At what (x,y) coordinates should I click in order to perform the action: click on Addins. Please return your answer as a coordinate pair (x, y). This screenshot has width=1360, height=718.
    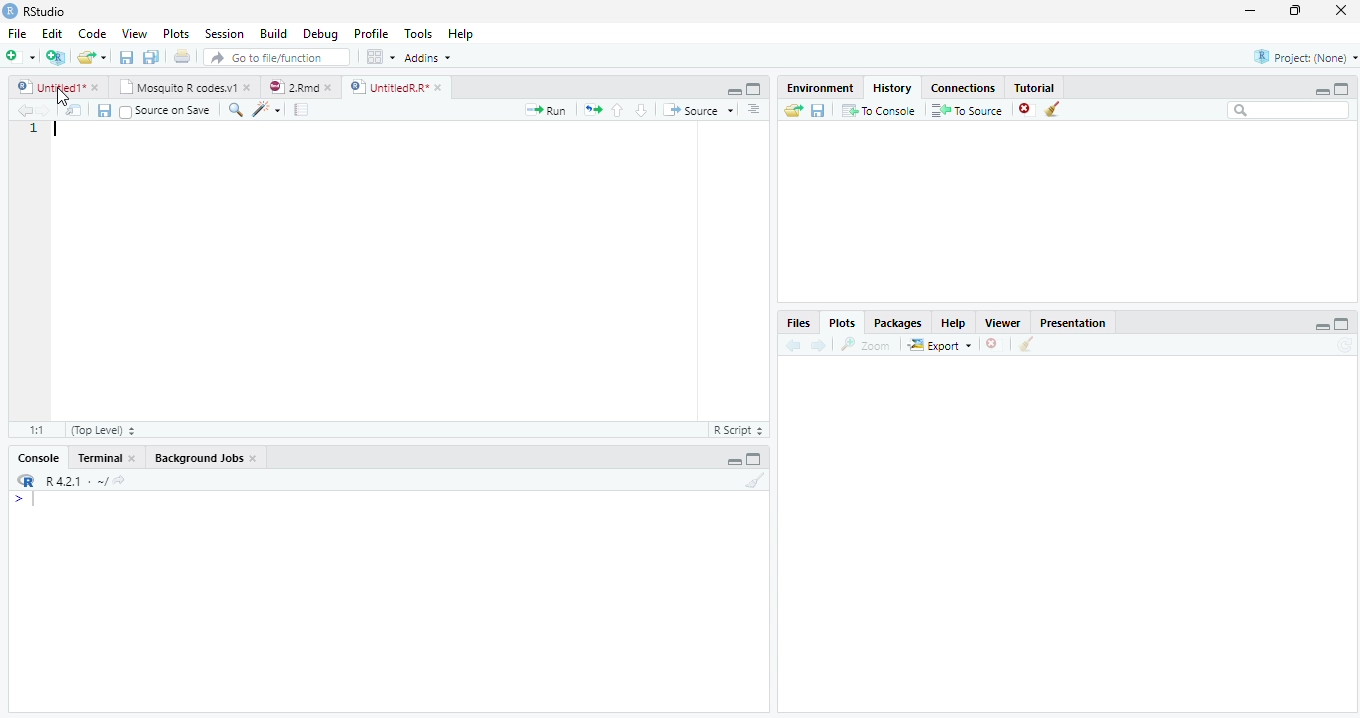
    Looking at the image, I should click on (430, 58).